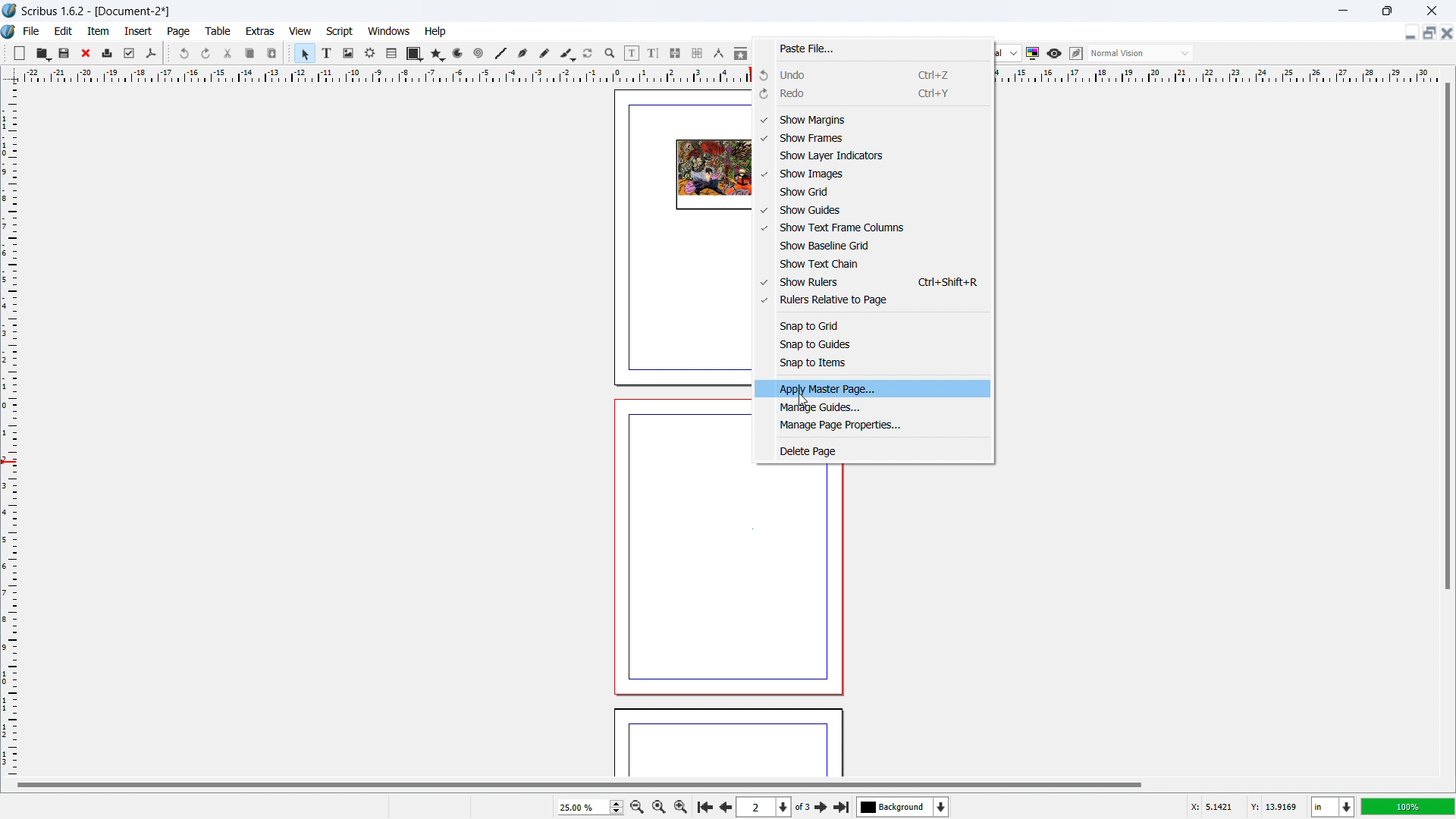 The width and height of the screenshot is (1456, 819). Describe the element at coordinates (874, 407) in the screenshot. I see `manage guides` at that location.